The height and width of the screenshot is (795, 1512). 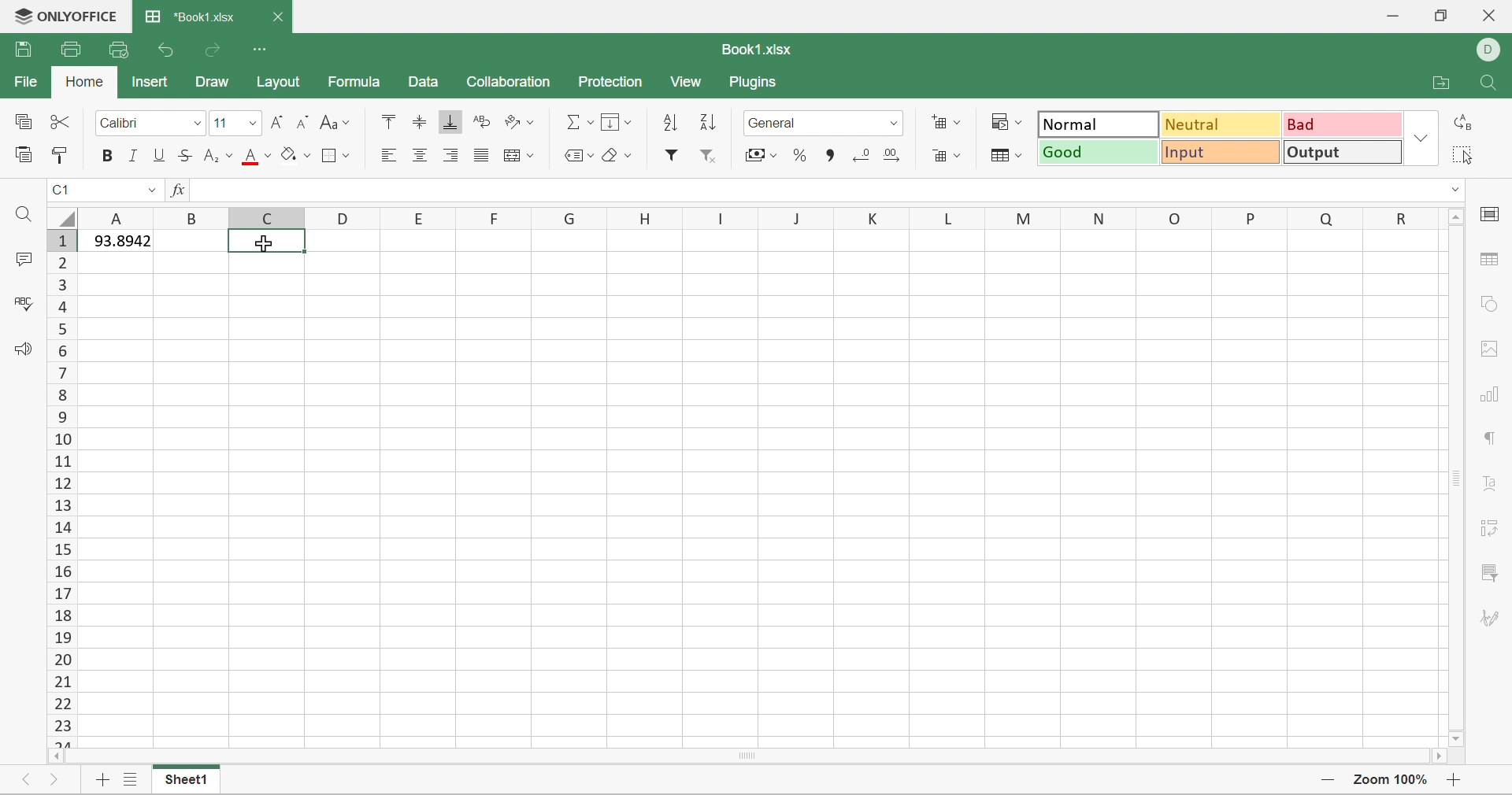 What do you see at coordinates (1492, 620) in the screenshot?
I see `Signature settings` at bounding box center [1492, 620].